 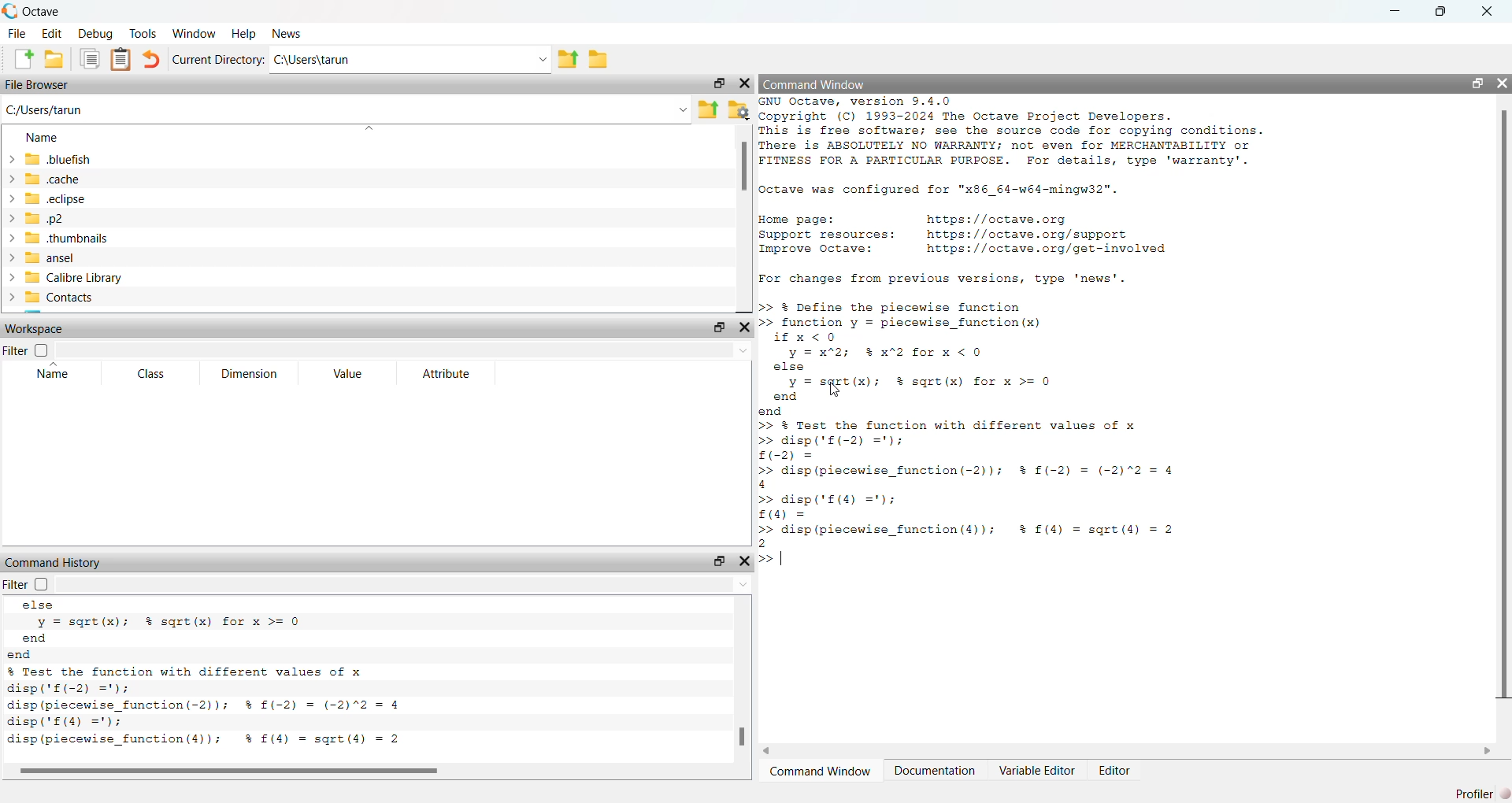 I want to click on Copy, so click(x=88, y=58).